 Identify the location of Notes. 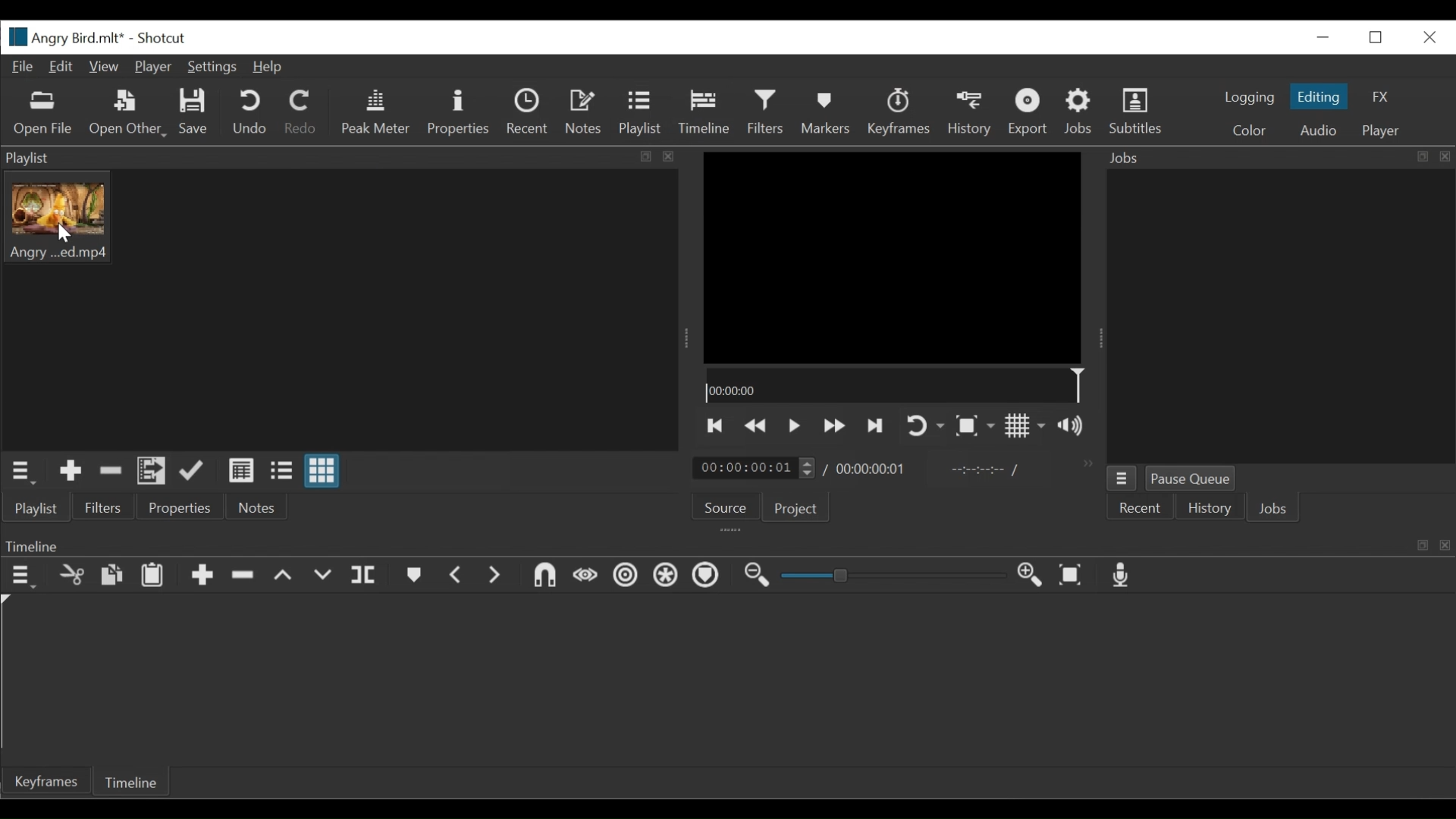
(583, 111).